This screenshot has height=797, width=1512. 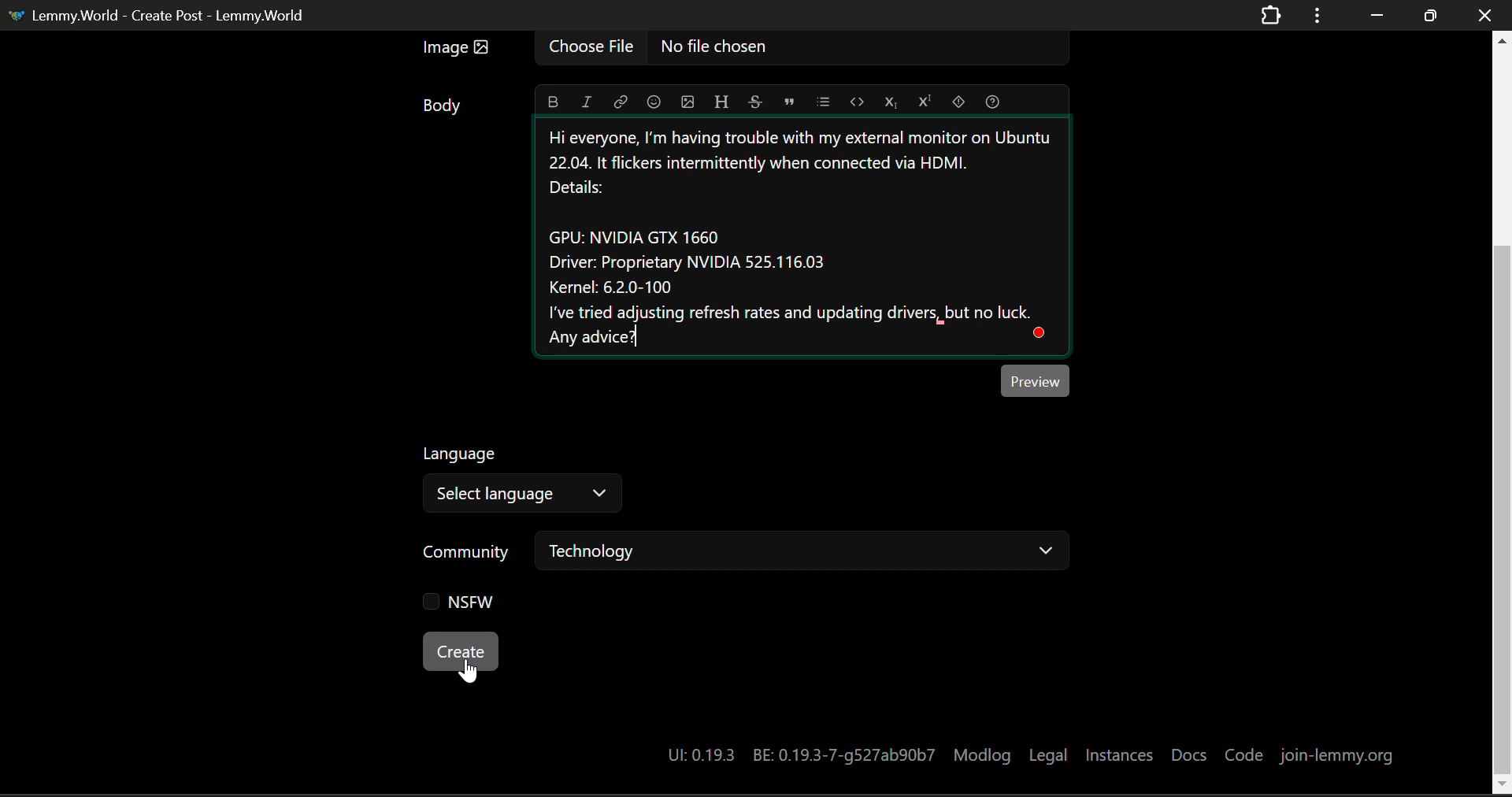 What do you see at coordinates (992, 100) in the screenshot?
I see `Formatting Help` at bounding box center [992, 100].